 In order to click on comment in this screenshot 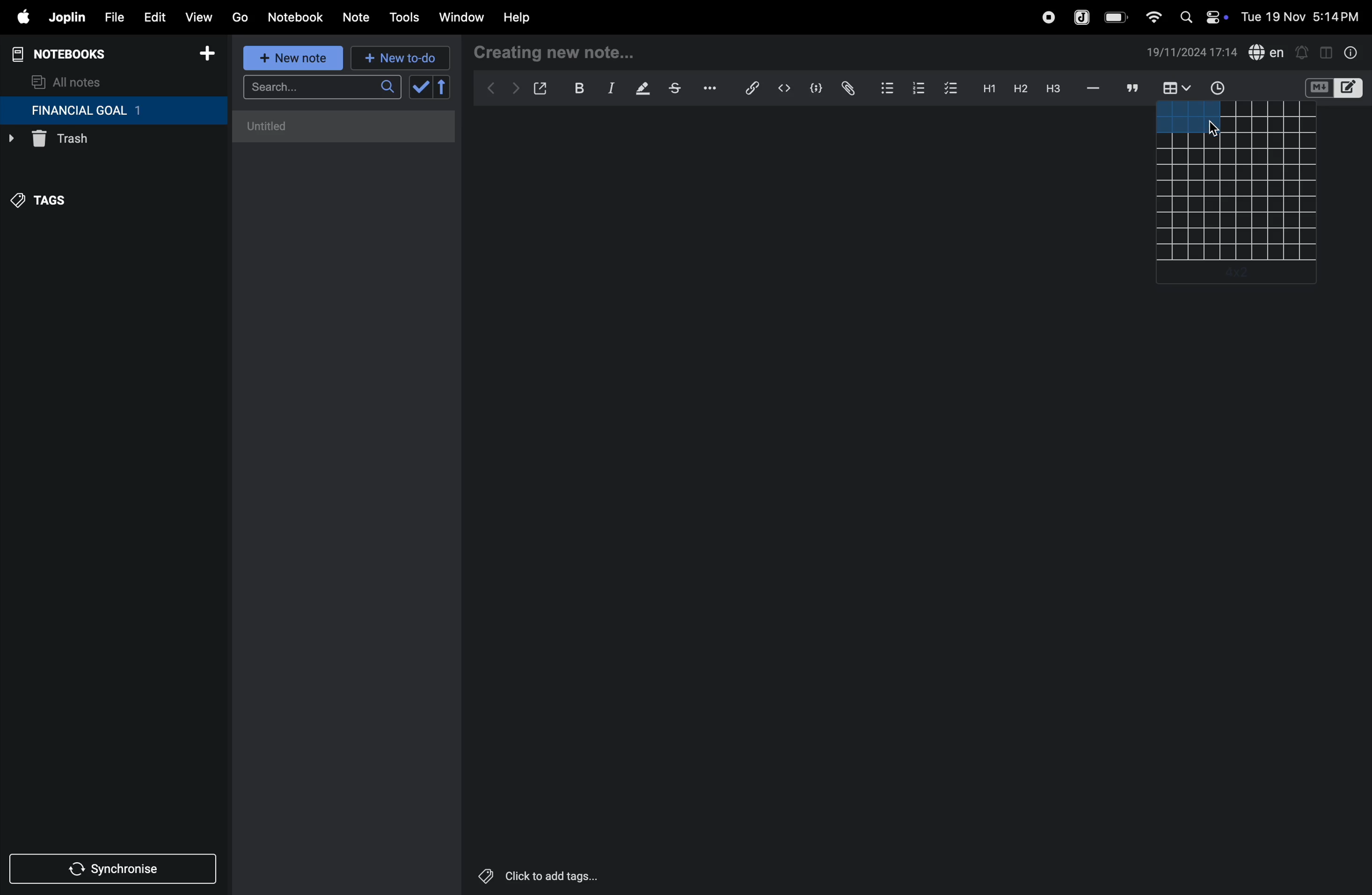, I will do `click(1130, 88)`.